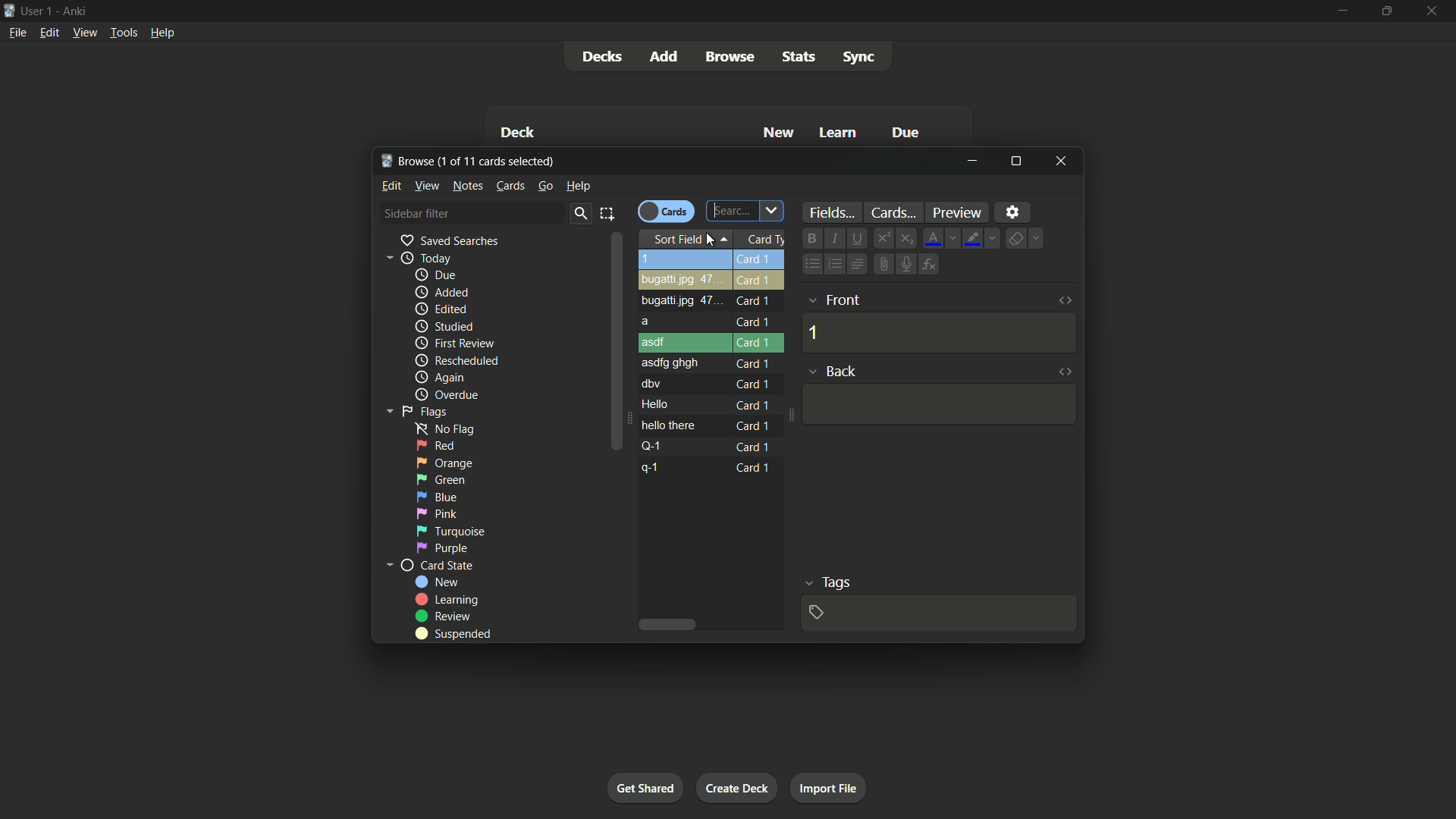 The height and width of the screenshot is (819, 1456). I want to click on create deck, so click(736, 788).